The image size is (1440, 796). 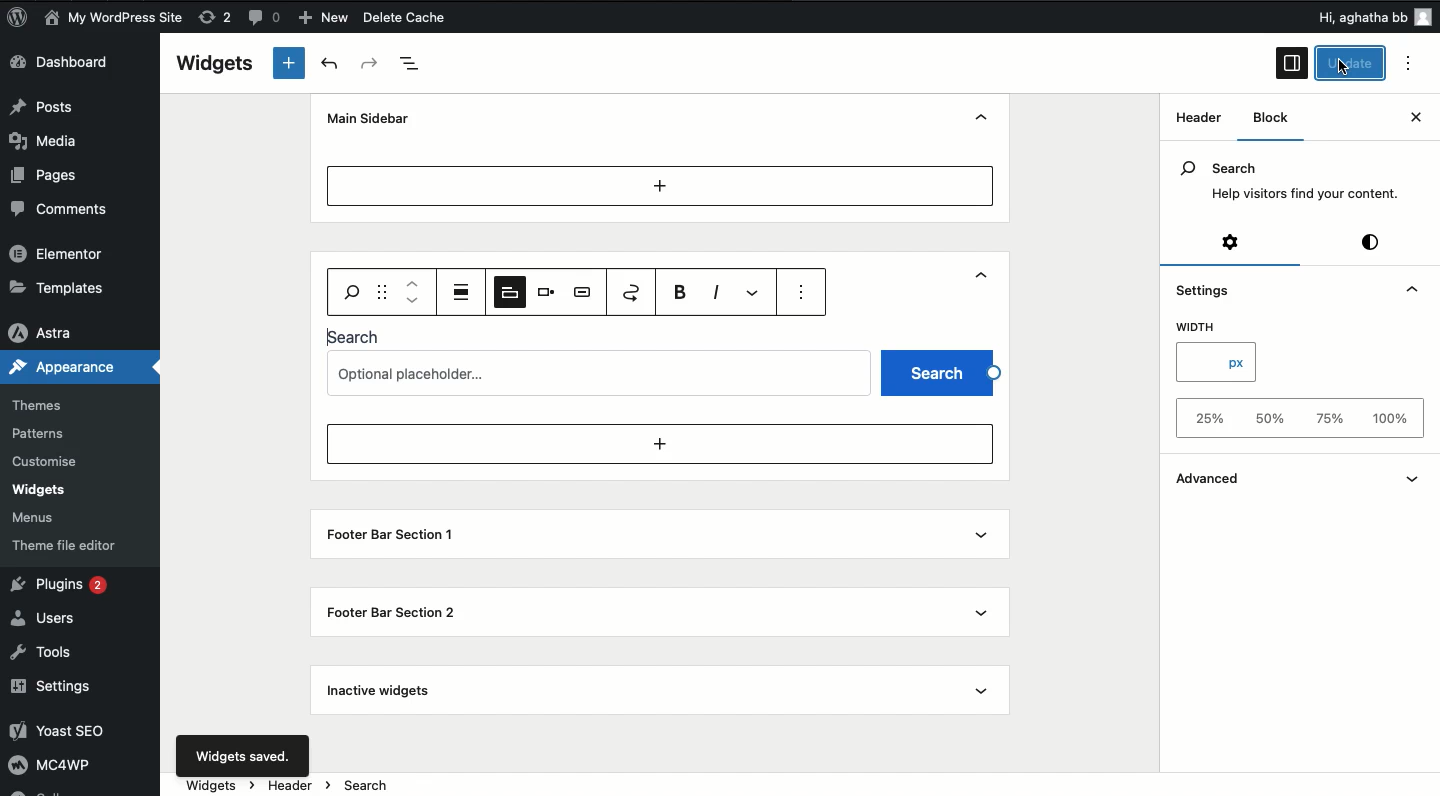 I want to click on Theme file editor, so click(x=65, y=541).